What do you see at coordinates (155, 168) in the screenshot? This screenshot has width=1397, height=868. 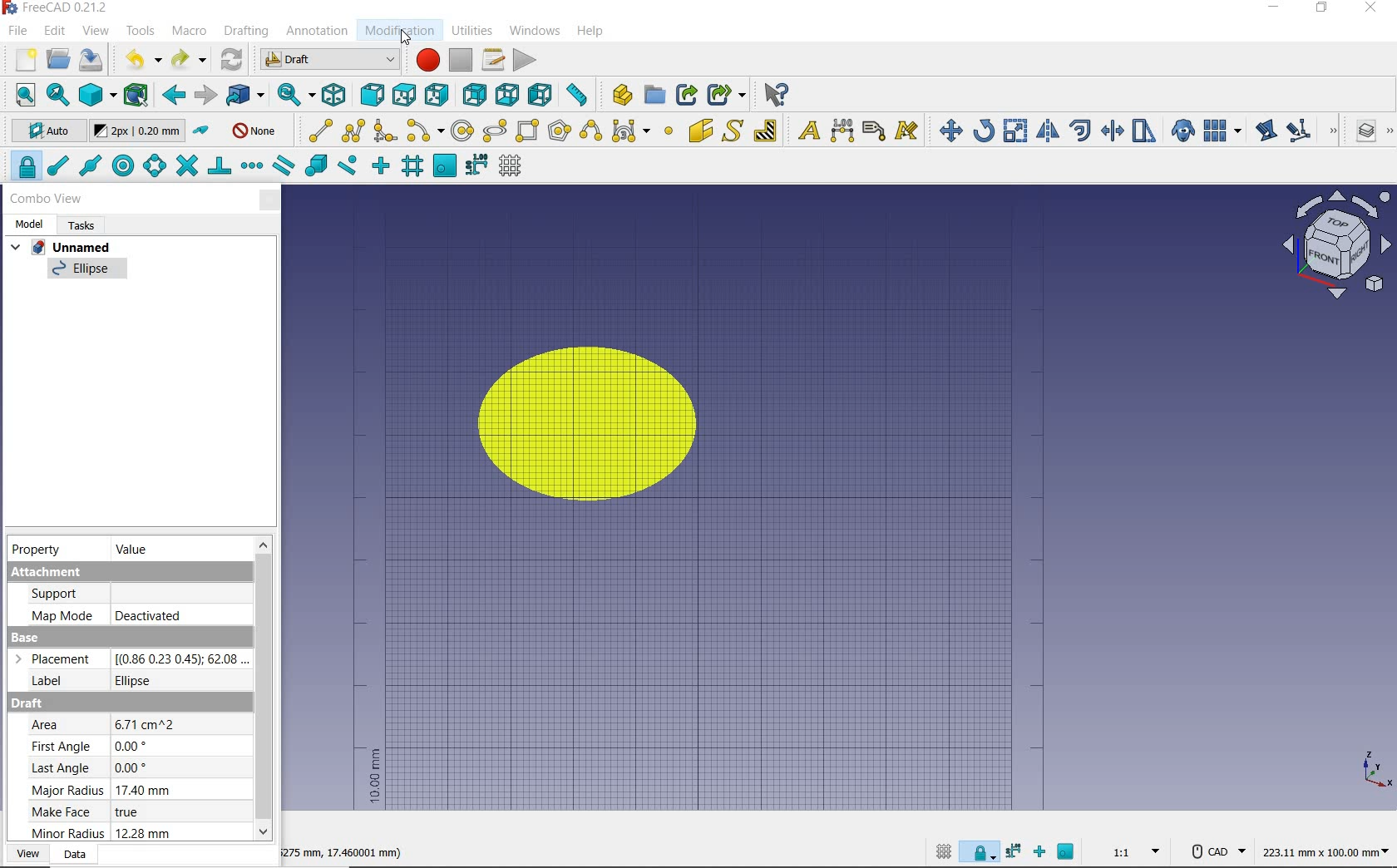 I see `snap angle` at bounding box center [155, 168].